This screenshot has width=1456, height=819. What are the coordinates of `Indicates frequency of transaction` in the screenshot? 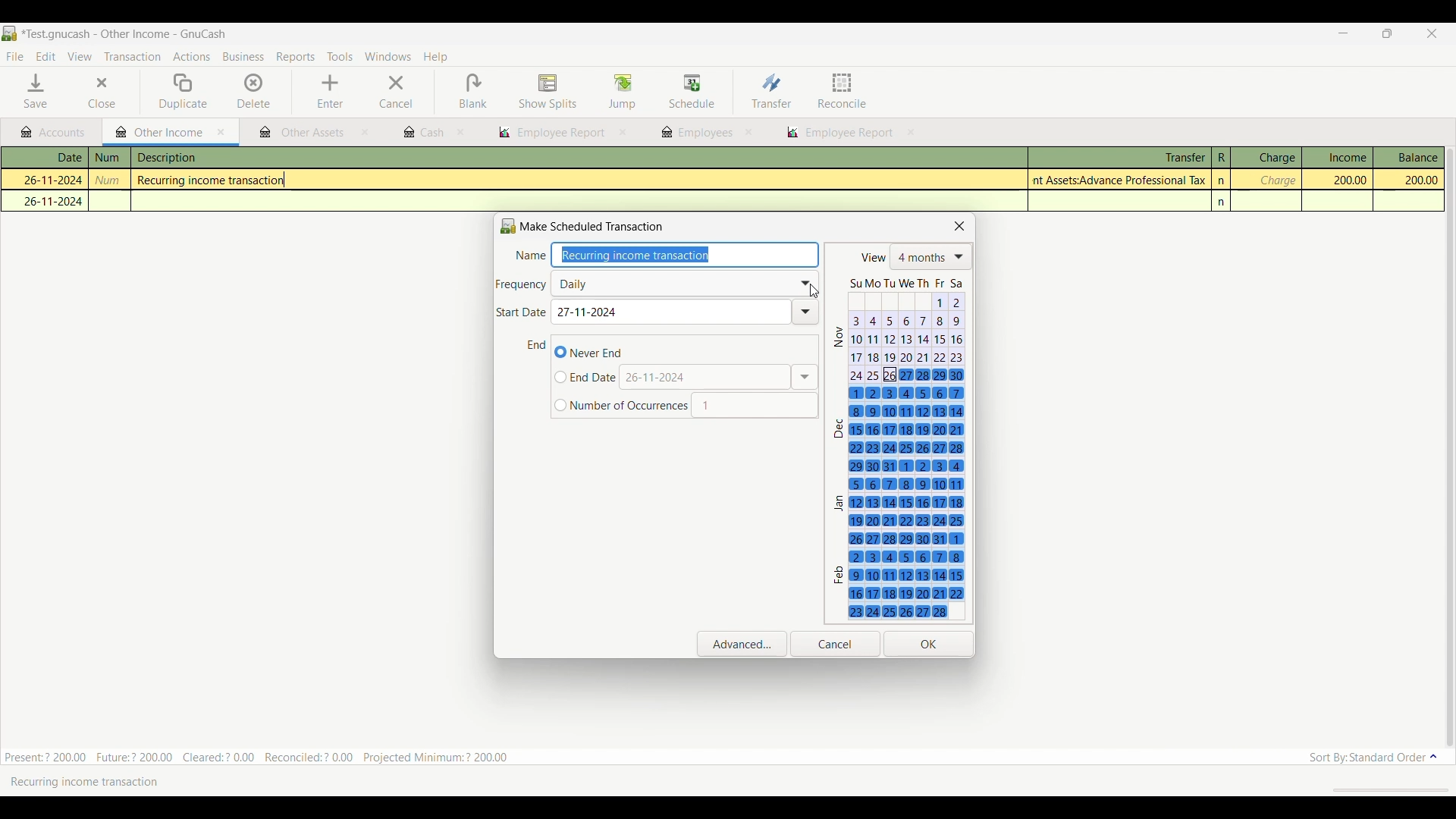 It's located at (522, 285).